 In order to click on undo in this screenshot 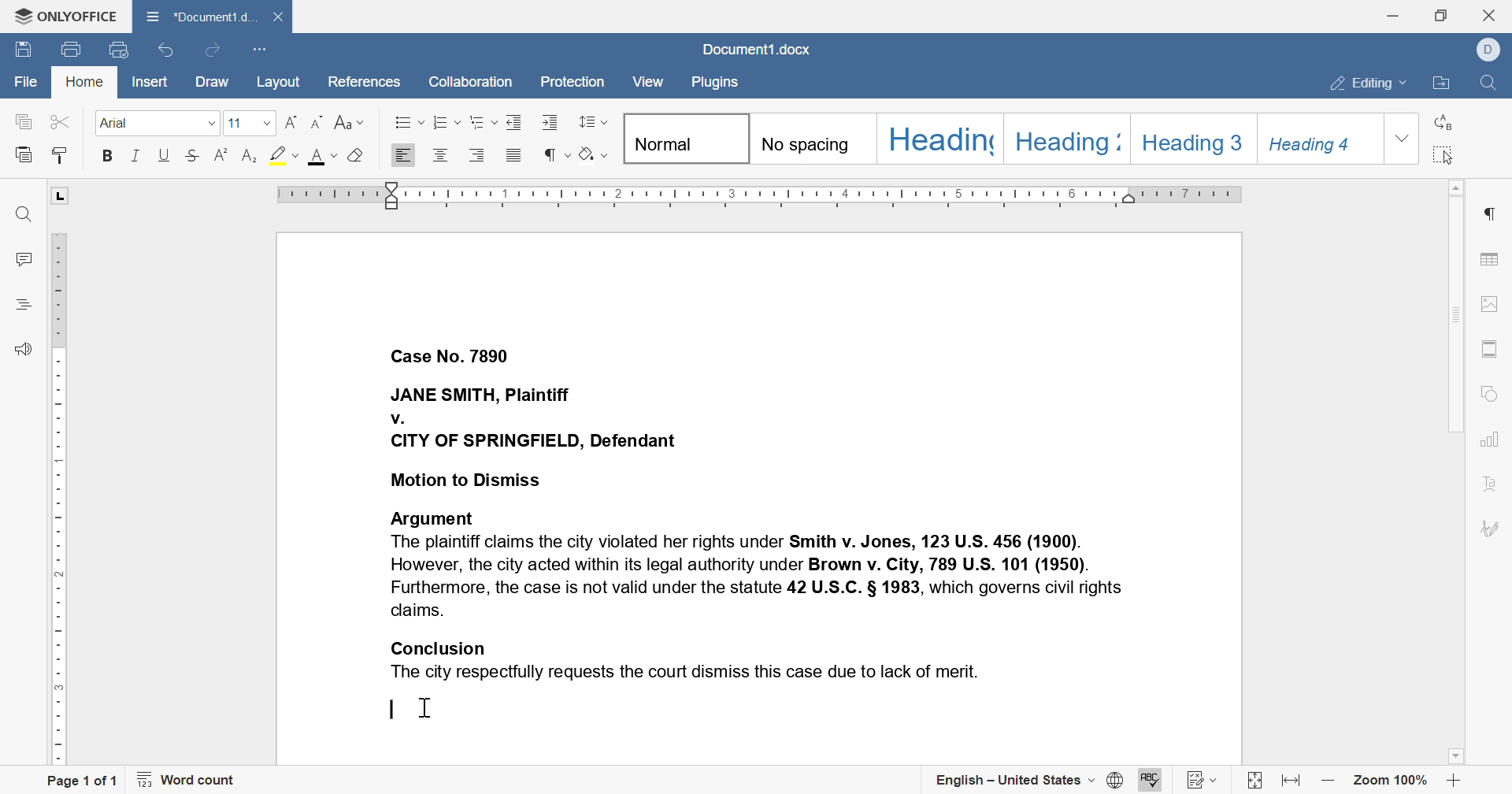, I will do `click(166, 54)`.